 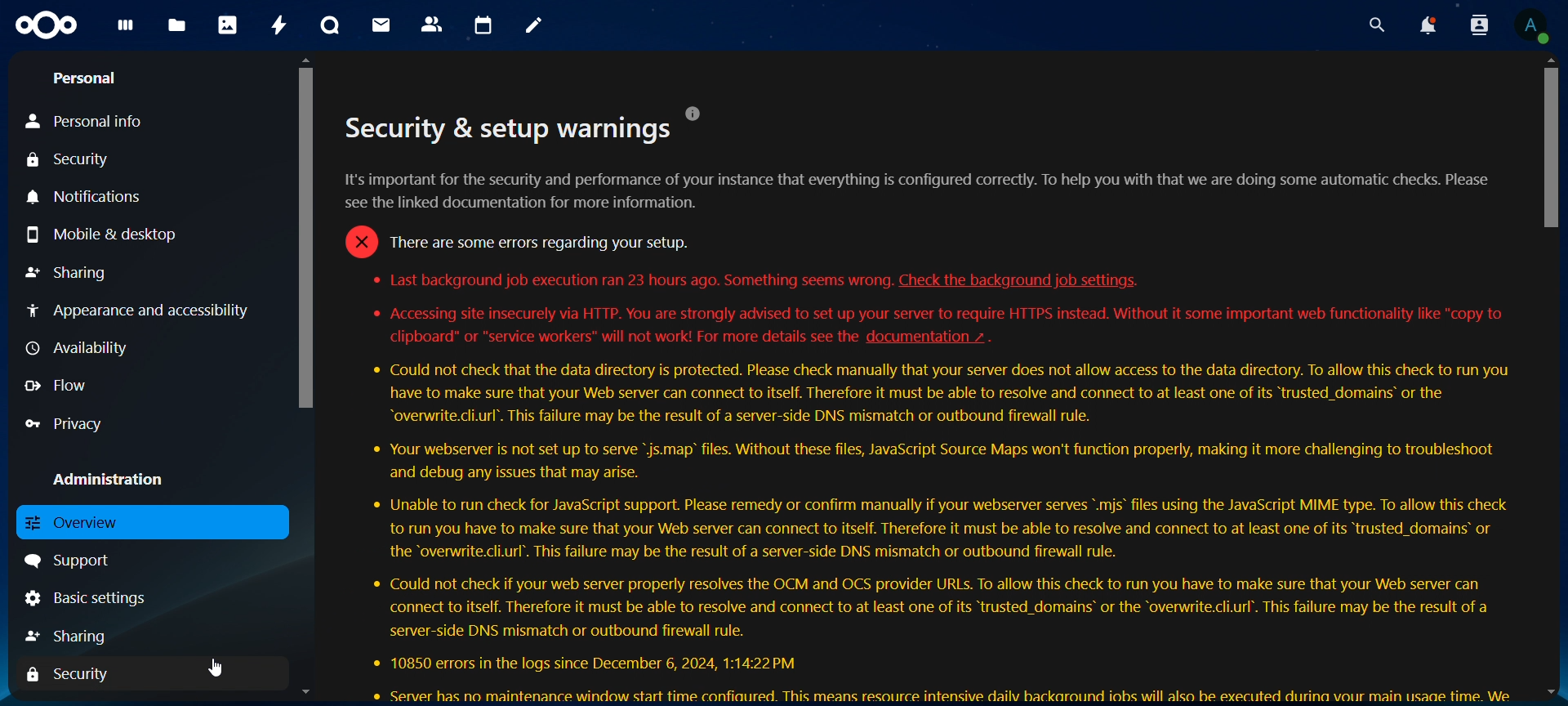 What do you see at coordinates (72, 636) in the screenshot?
I see `haring` at bounding box center [72, 636].